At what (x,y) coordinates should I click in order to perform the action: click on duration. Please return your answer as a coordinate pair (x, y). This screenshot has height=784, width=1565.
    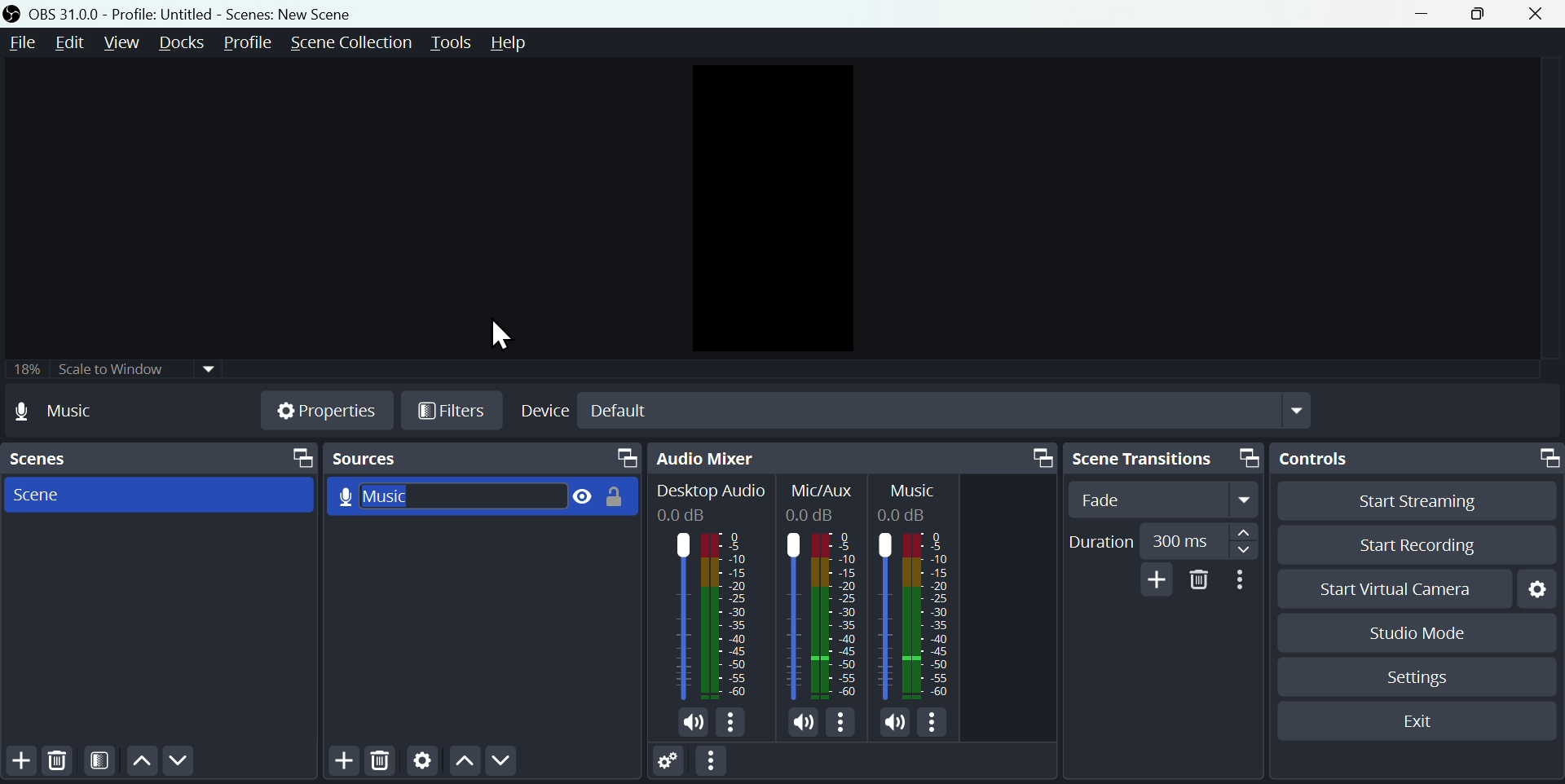
    Looking at the image, I should click on (1162, 542).